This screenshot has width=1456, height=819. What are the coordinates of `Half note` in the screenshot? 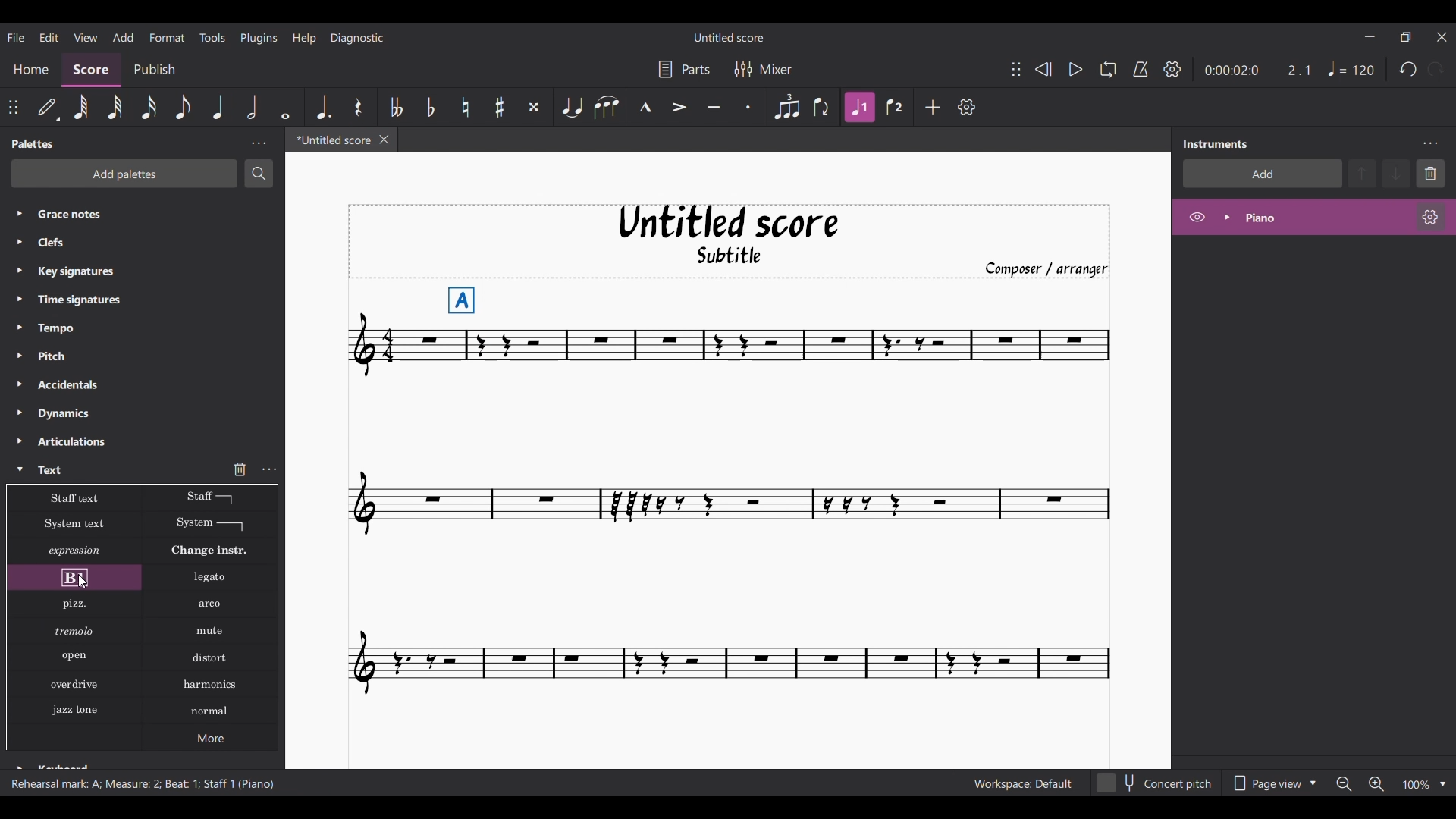 It's located at (252, 107).